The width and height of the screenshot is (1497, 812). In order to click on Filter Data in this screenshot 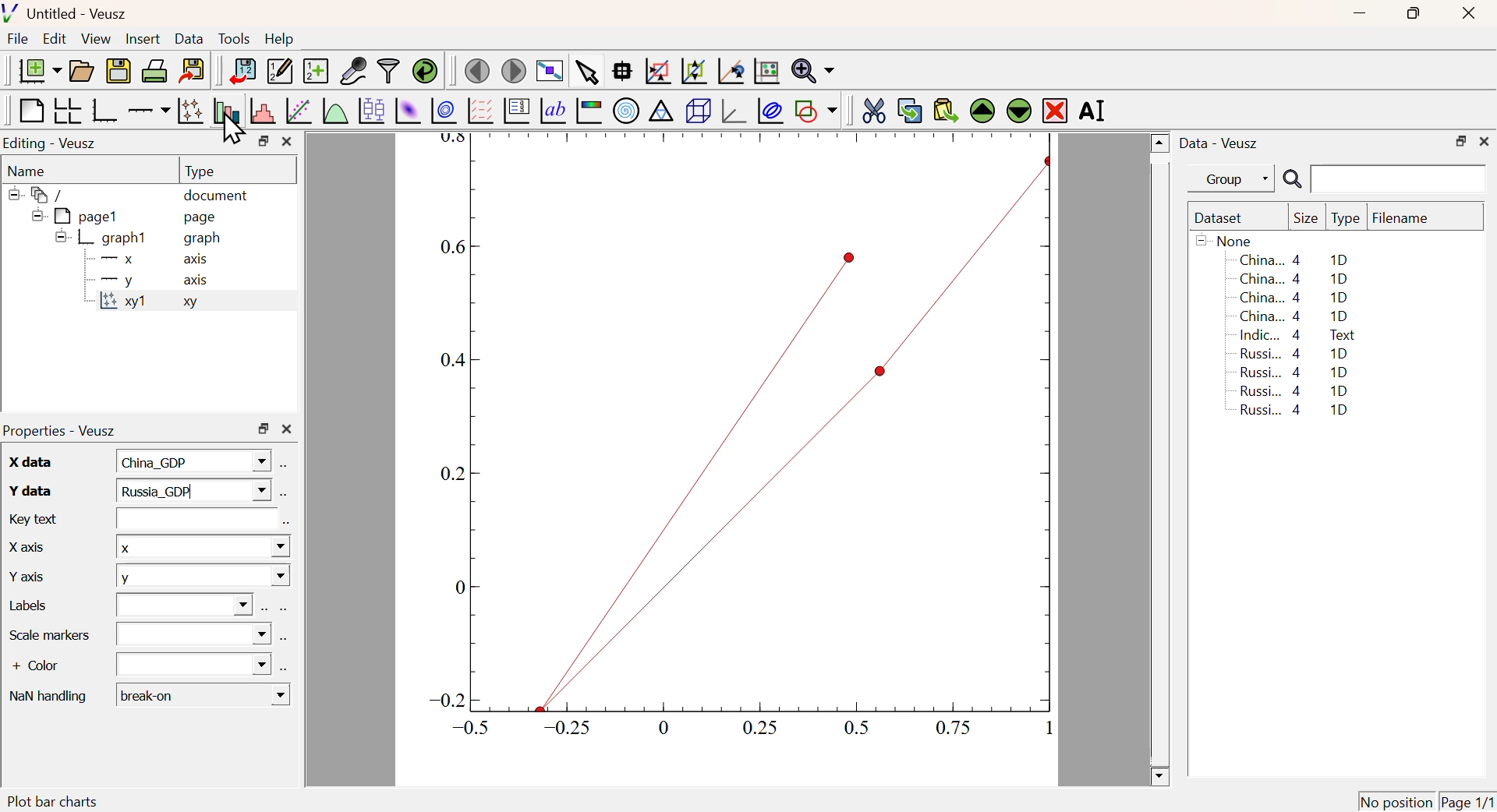, I will do `click(388, 69)`.